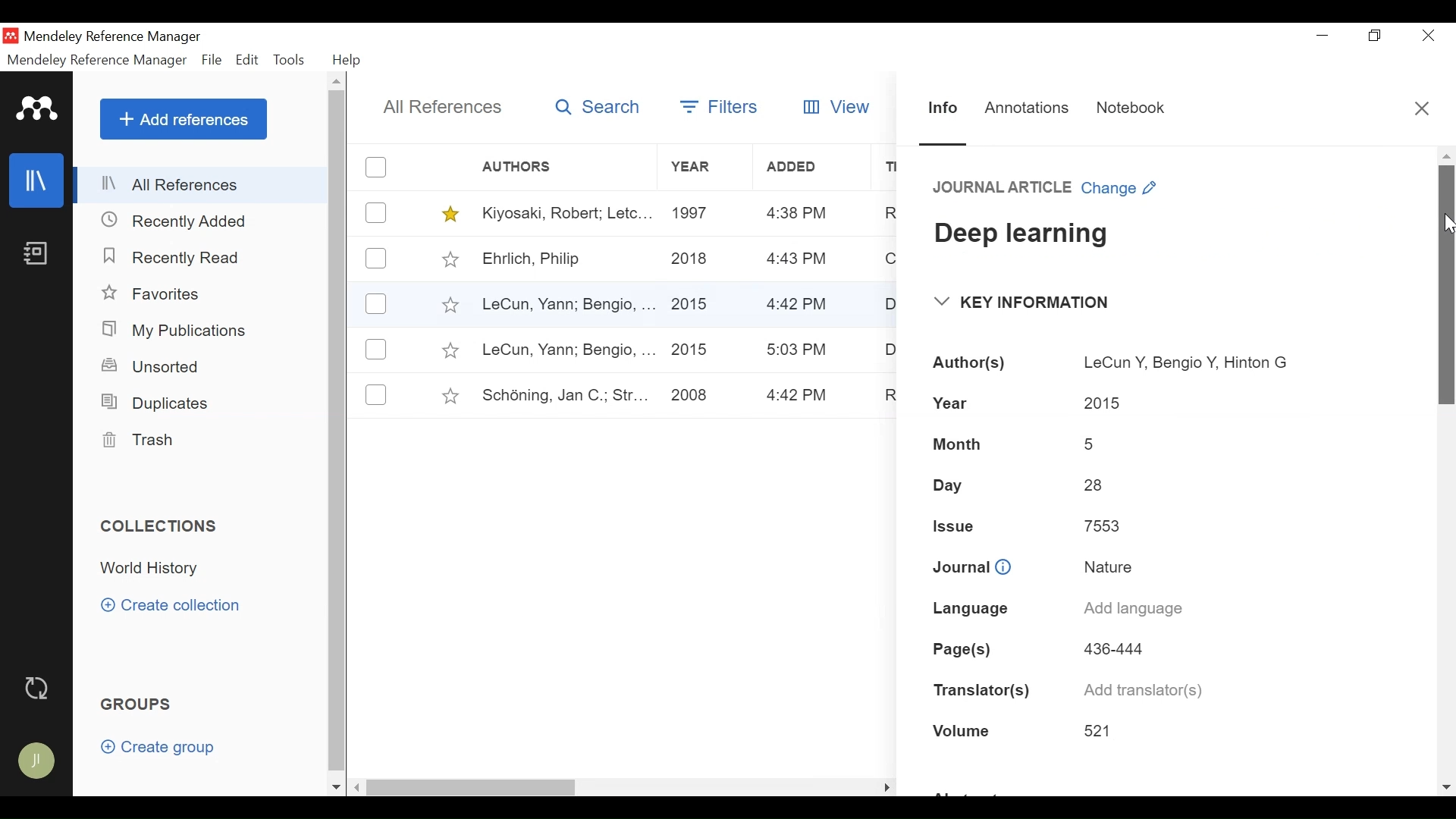  Describe the element at coordinates (293, 60) in the screenshot. I see `Tools` at that location.